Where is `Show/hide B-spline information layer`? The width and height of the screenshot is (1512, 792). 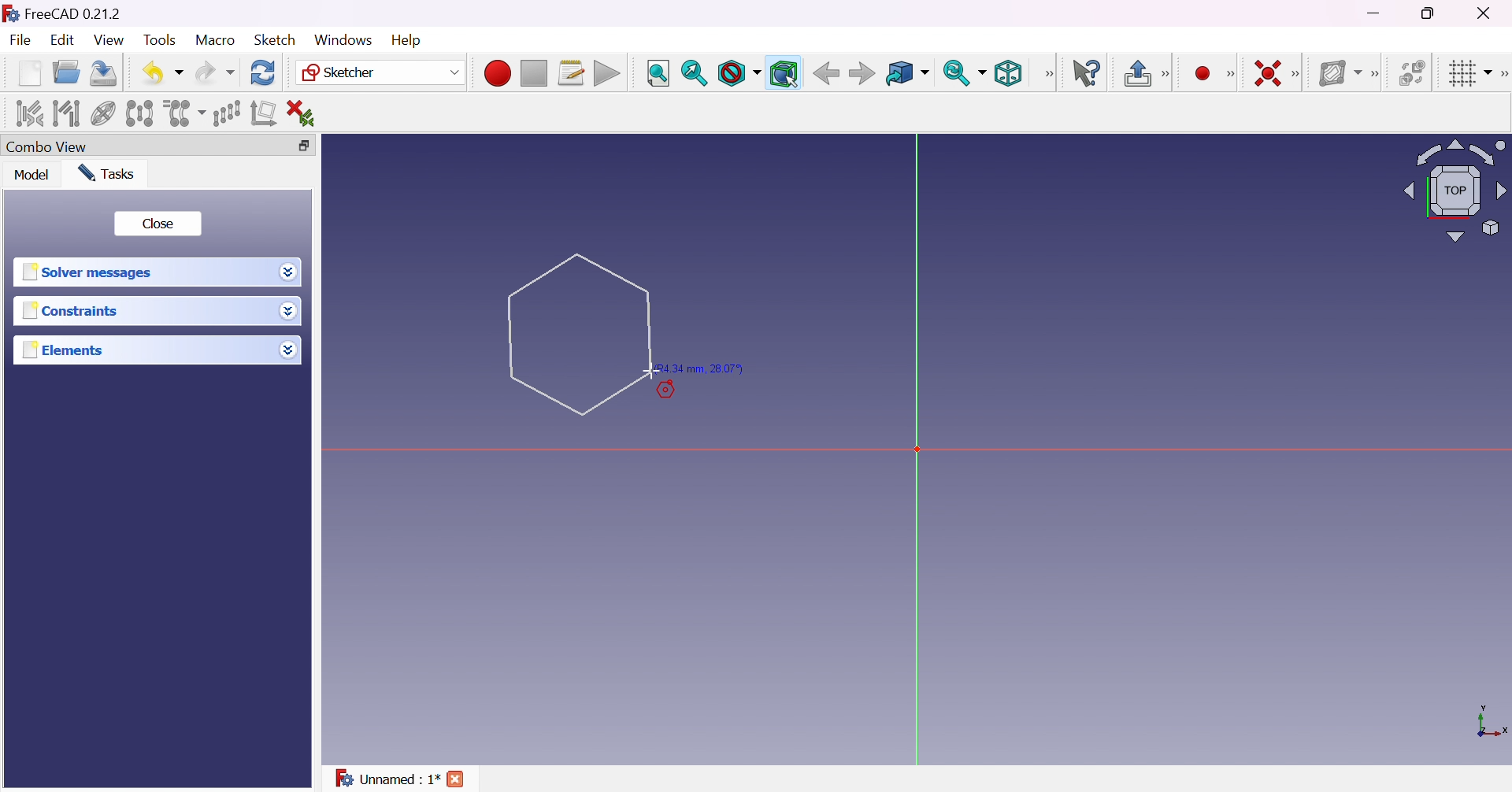 Show/hide B-spline information layer is located at coordinates (1339, 73).